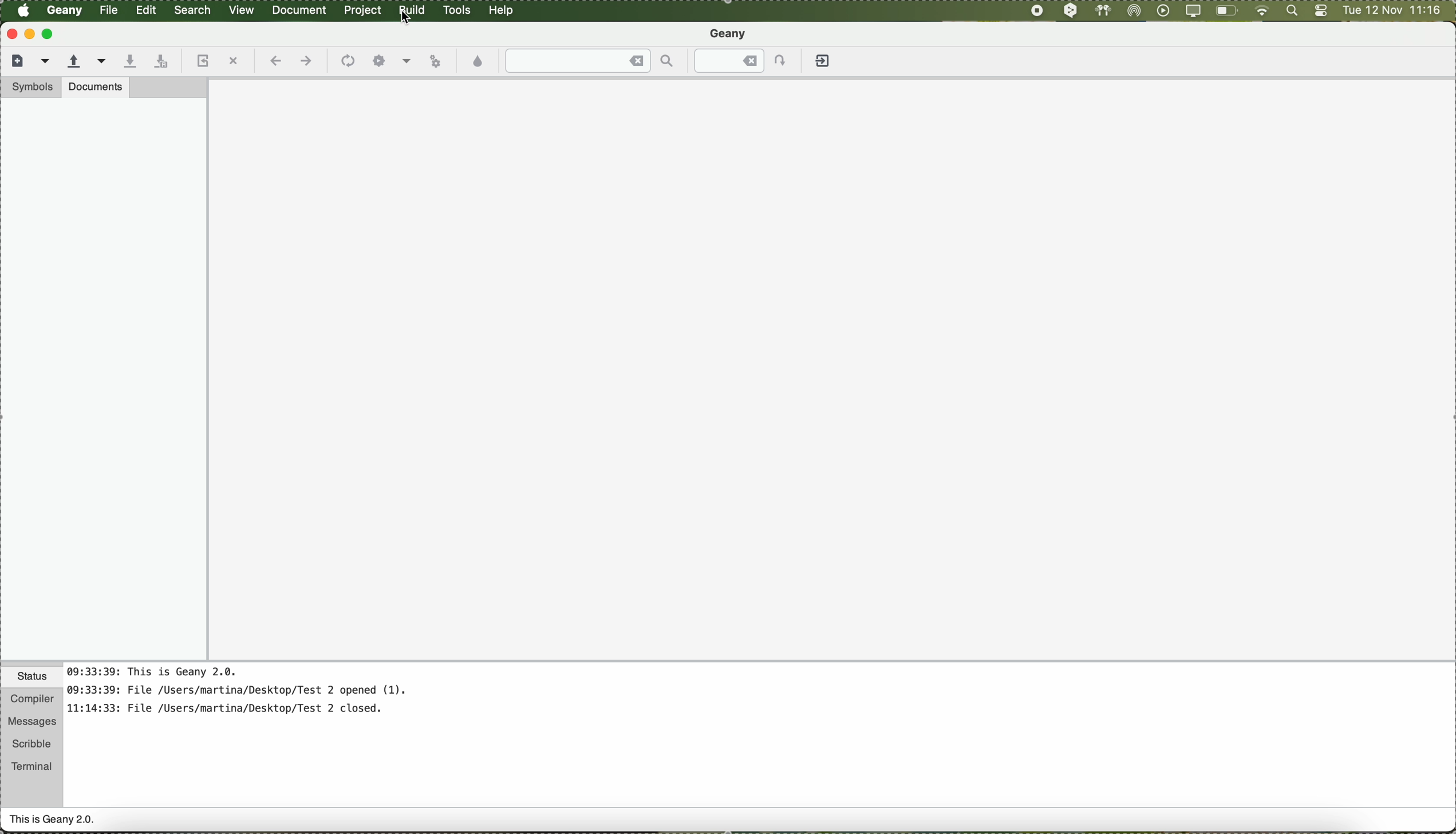 This screenshot has height=834, width=1456. What do you see at coordinates (274, 61) in the screenshot?
I see `navigate back a location` at bounding box center [274, 61].